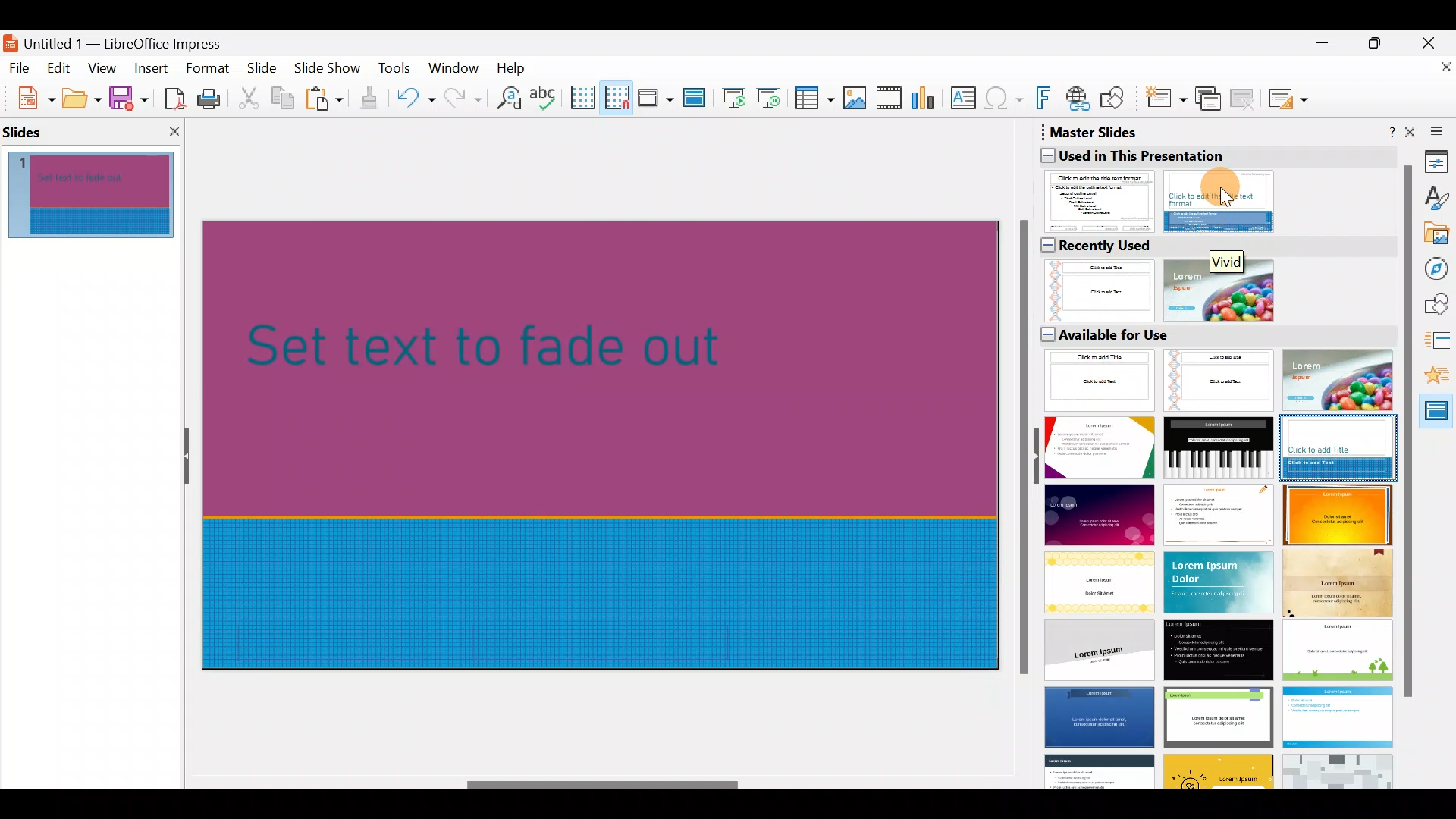 Image resolution: width=1456 pixels, height=819 pixels. Describe the element at coordinates (251, 99) in the screenshot. I see `Cut` at that location.